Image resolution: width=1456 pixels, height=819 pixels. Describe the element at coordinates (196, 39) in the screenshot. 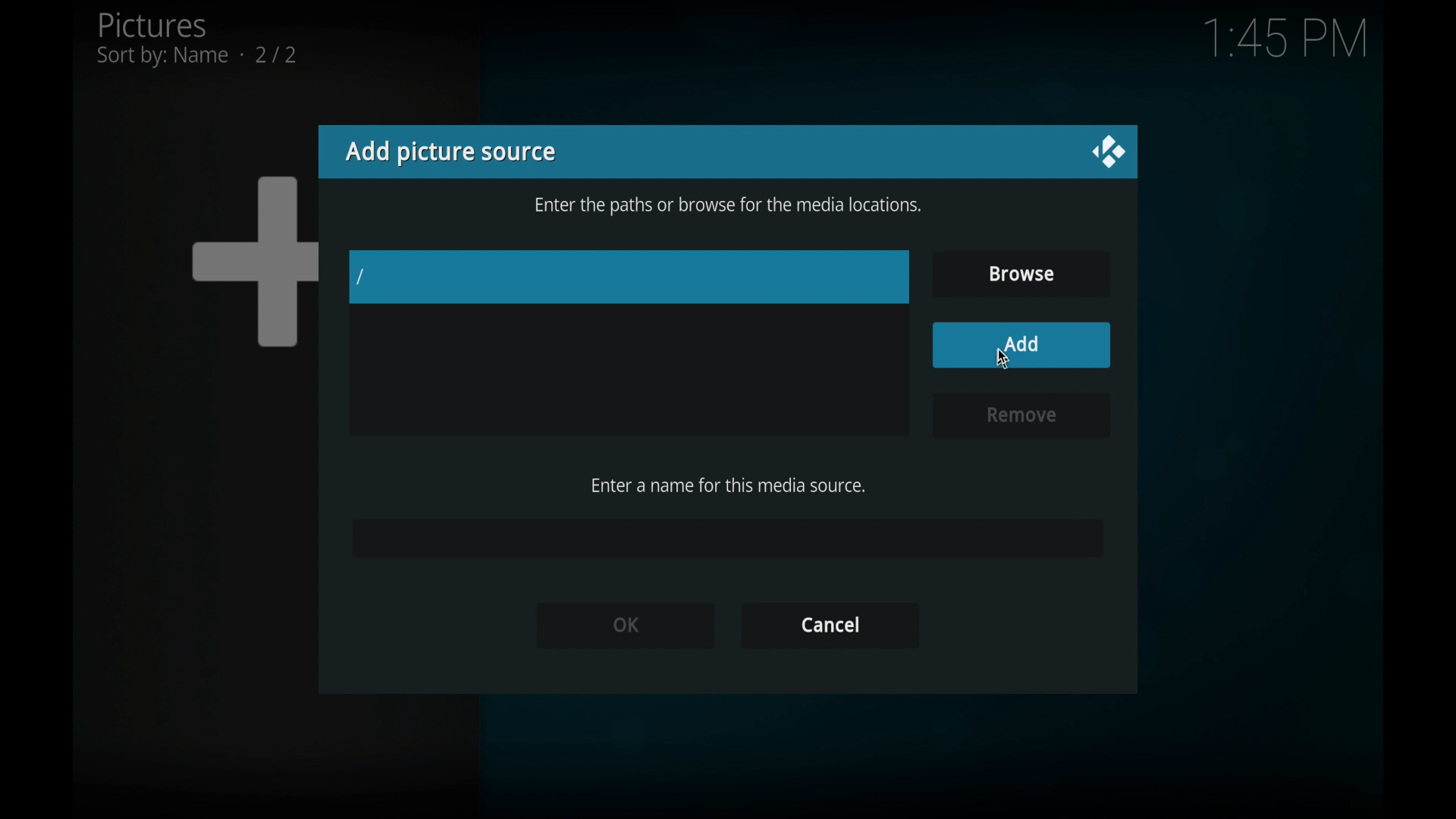

I see `pictures` at that location.